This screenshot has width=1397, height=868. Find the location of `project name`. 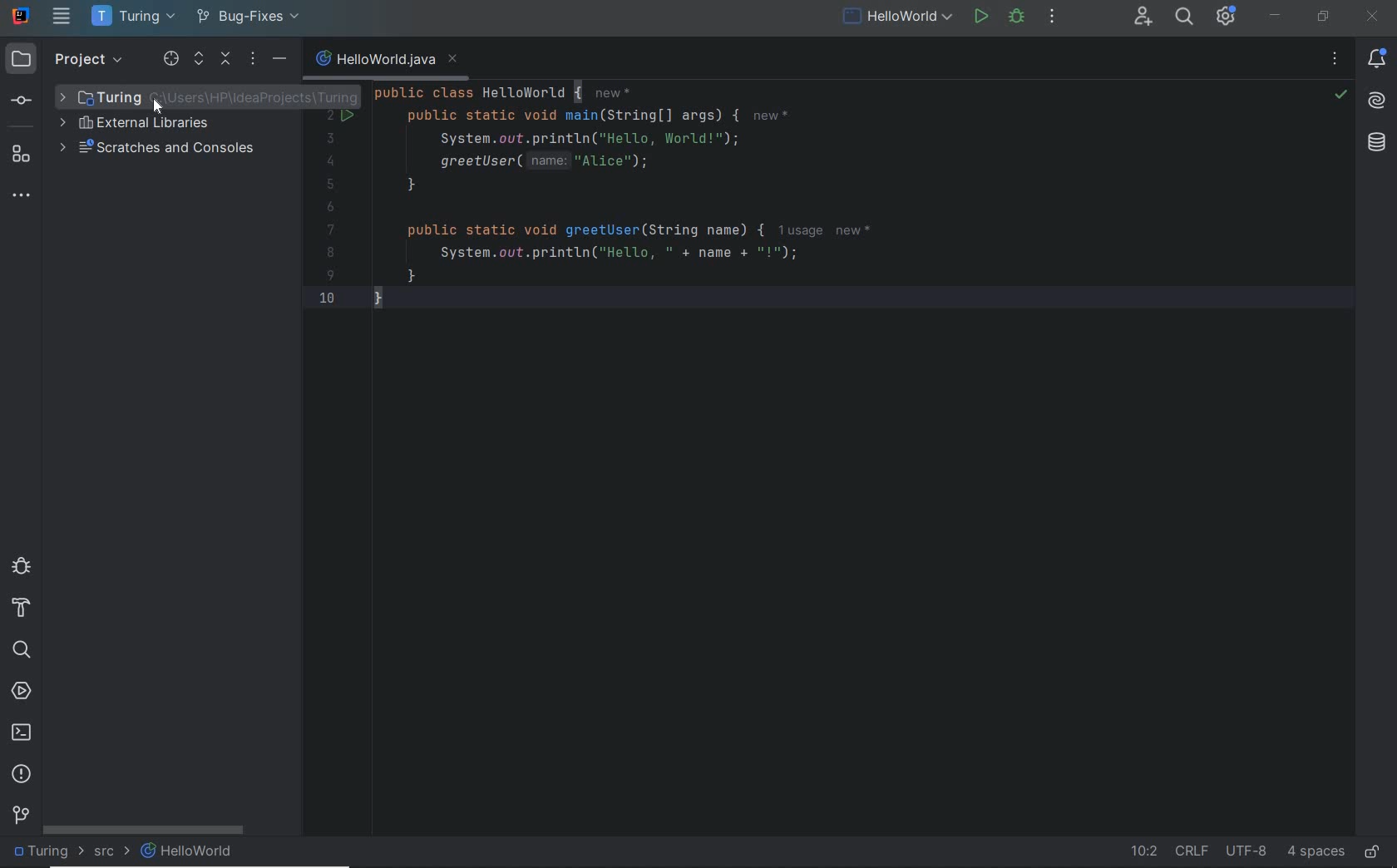

project name is located at coordinates (131, 17).